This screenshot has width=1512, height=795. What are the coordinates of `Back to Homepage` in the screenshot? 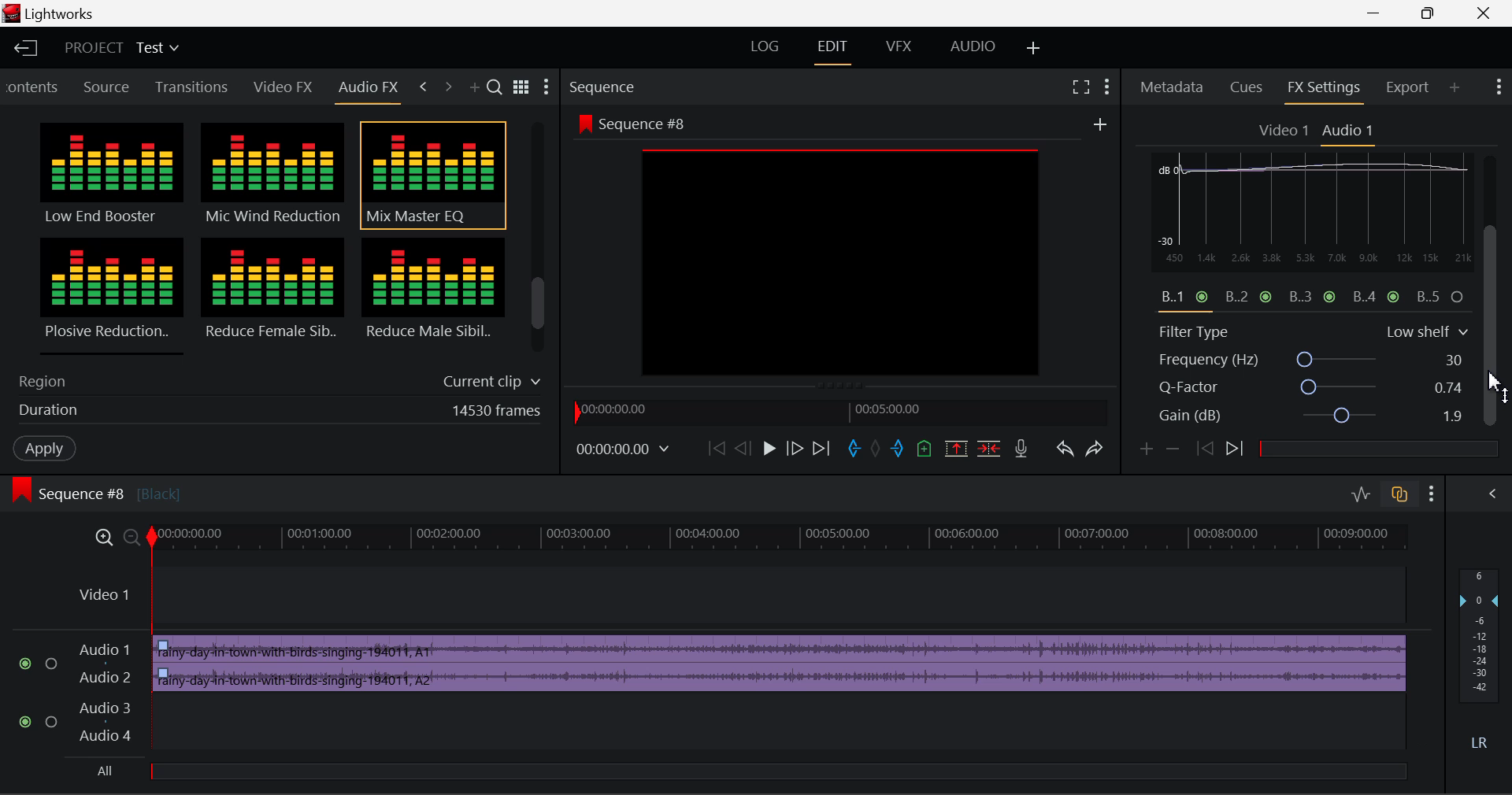 It's located at (24, 48).